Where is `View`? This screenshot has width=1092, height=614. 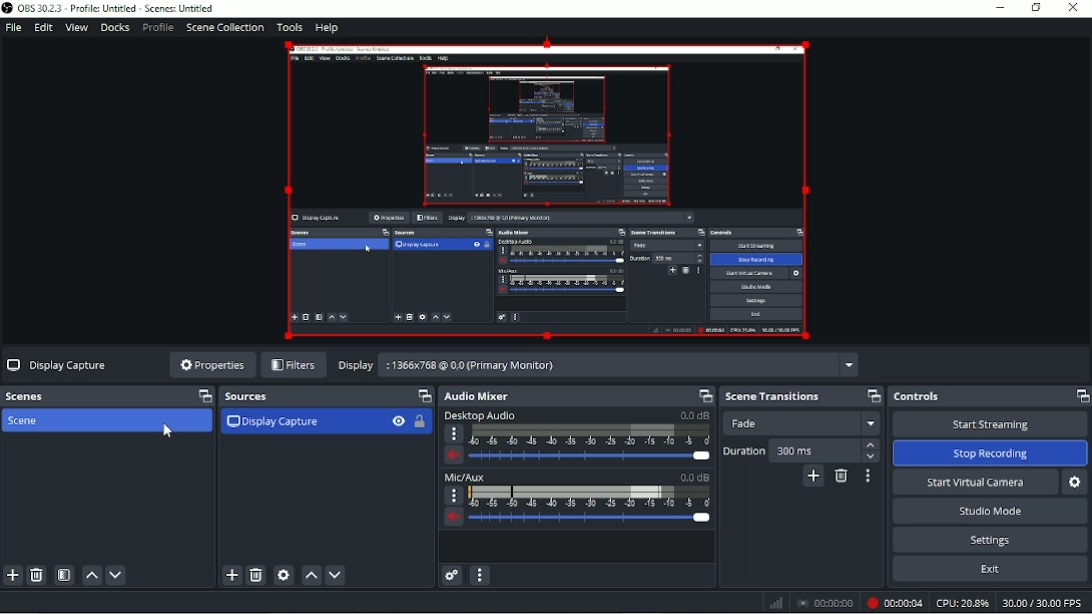 View is located at coordinates (76, 28).